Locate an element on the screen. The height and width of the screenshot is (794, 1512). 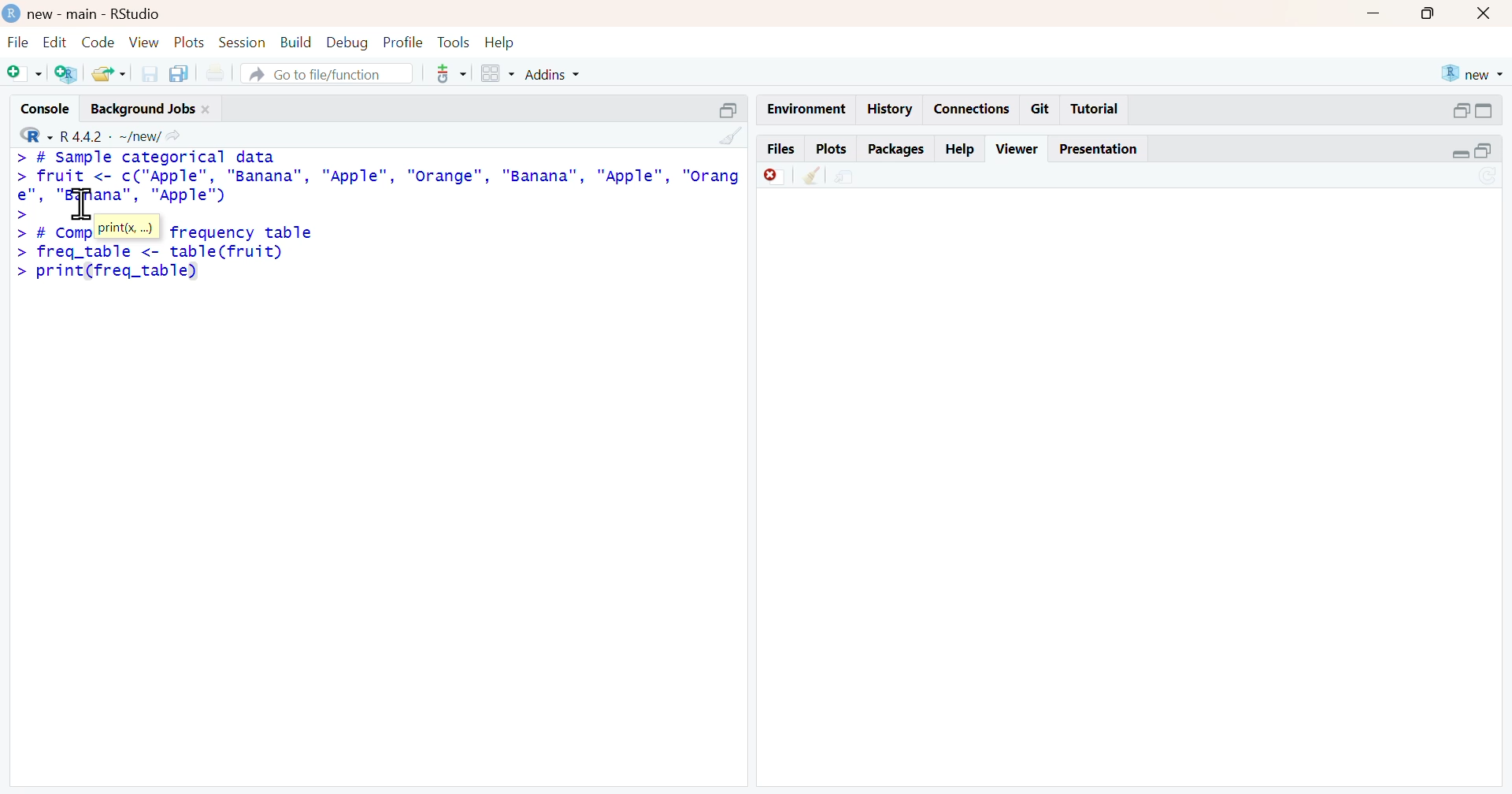
collapse is located at coordinates (1487, 113).